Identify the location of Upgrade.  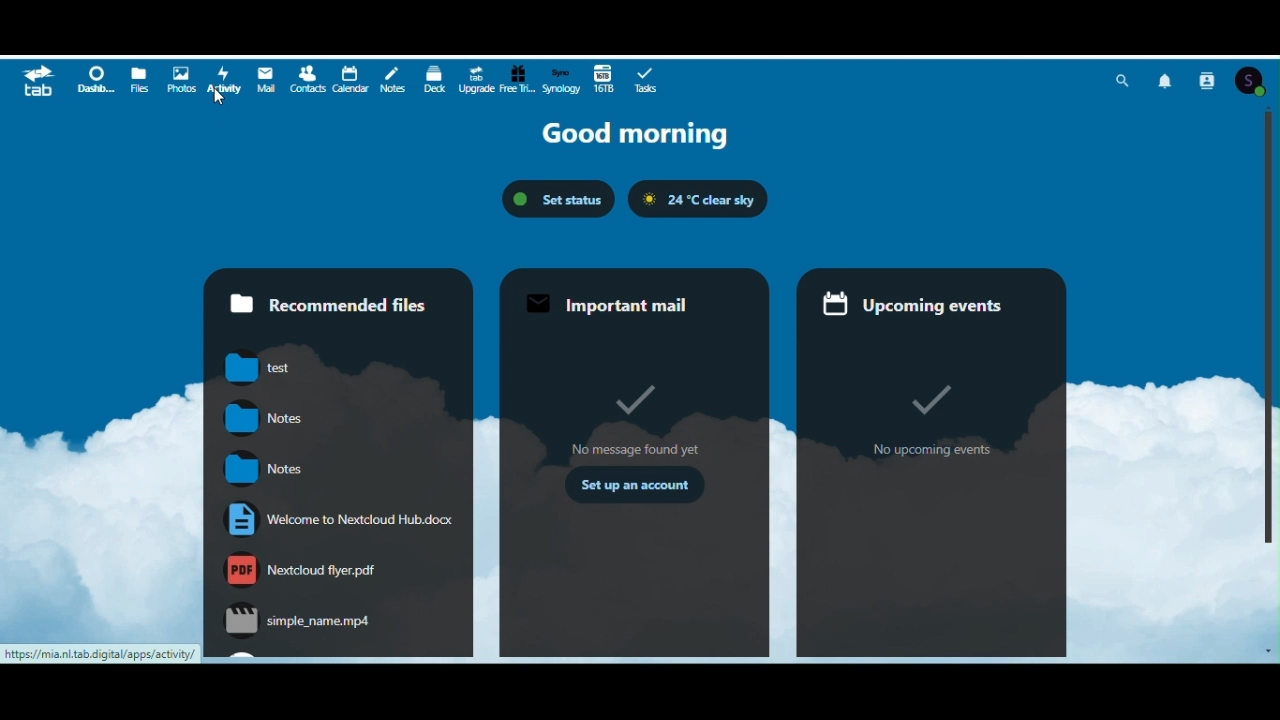
(476, 81).